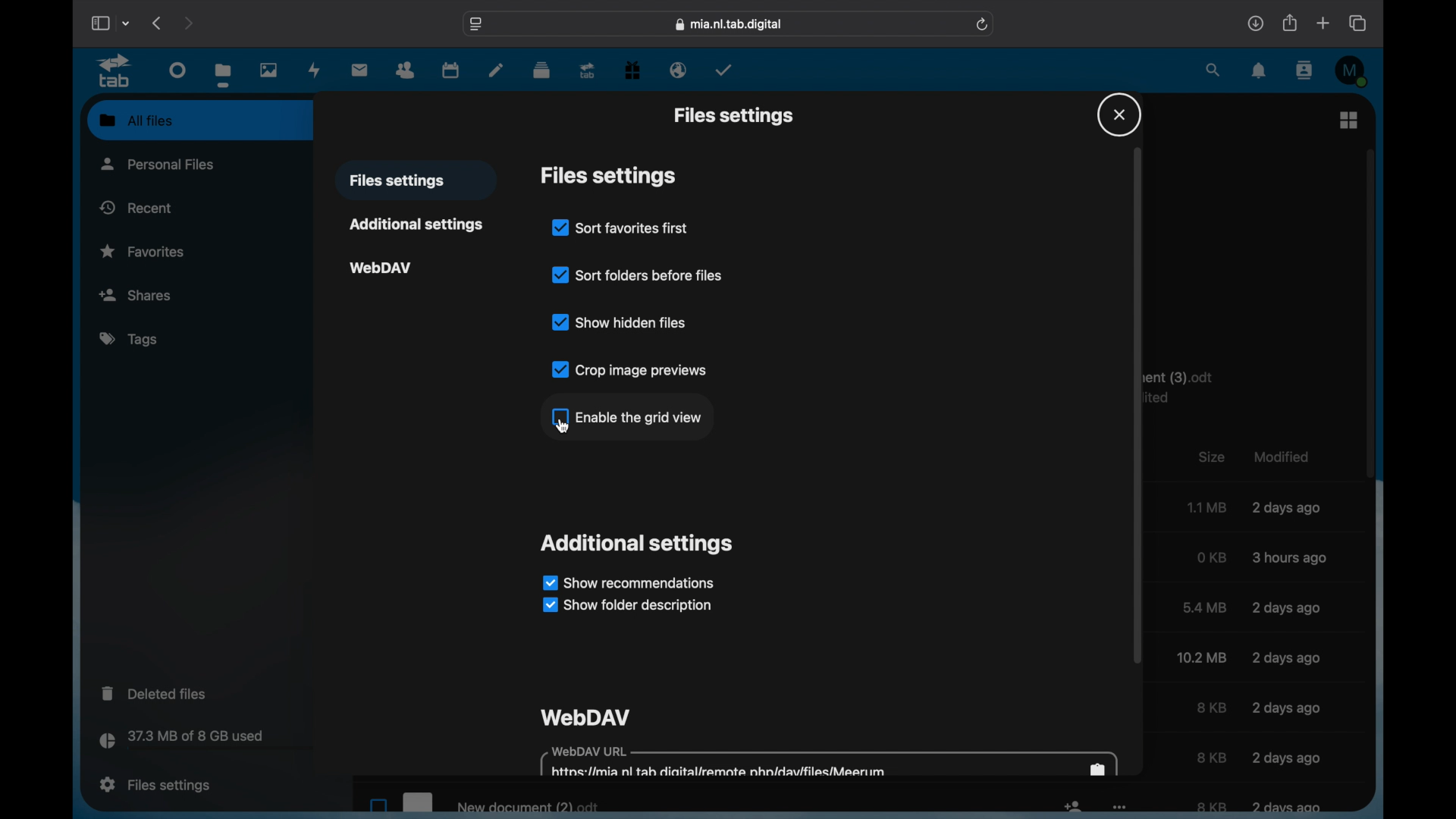 The image size is (1456, 819). What do you see at coordinates (130, 340) in the screenshot?
I see `tags` at bounding box center [130, 340].